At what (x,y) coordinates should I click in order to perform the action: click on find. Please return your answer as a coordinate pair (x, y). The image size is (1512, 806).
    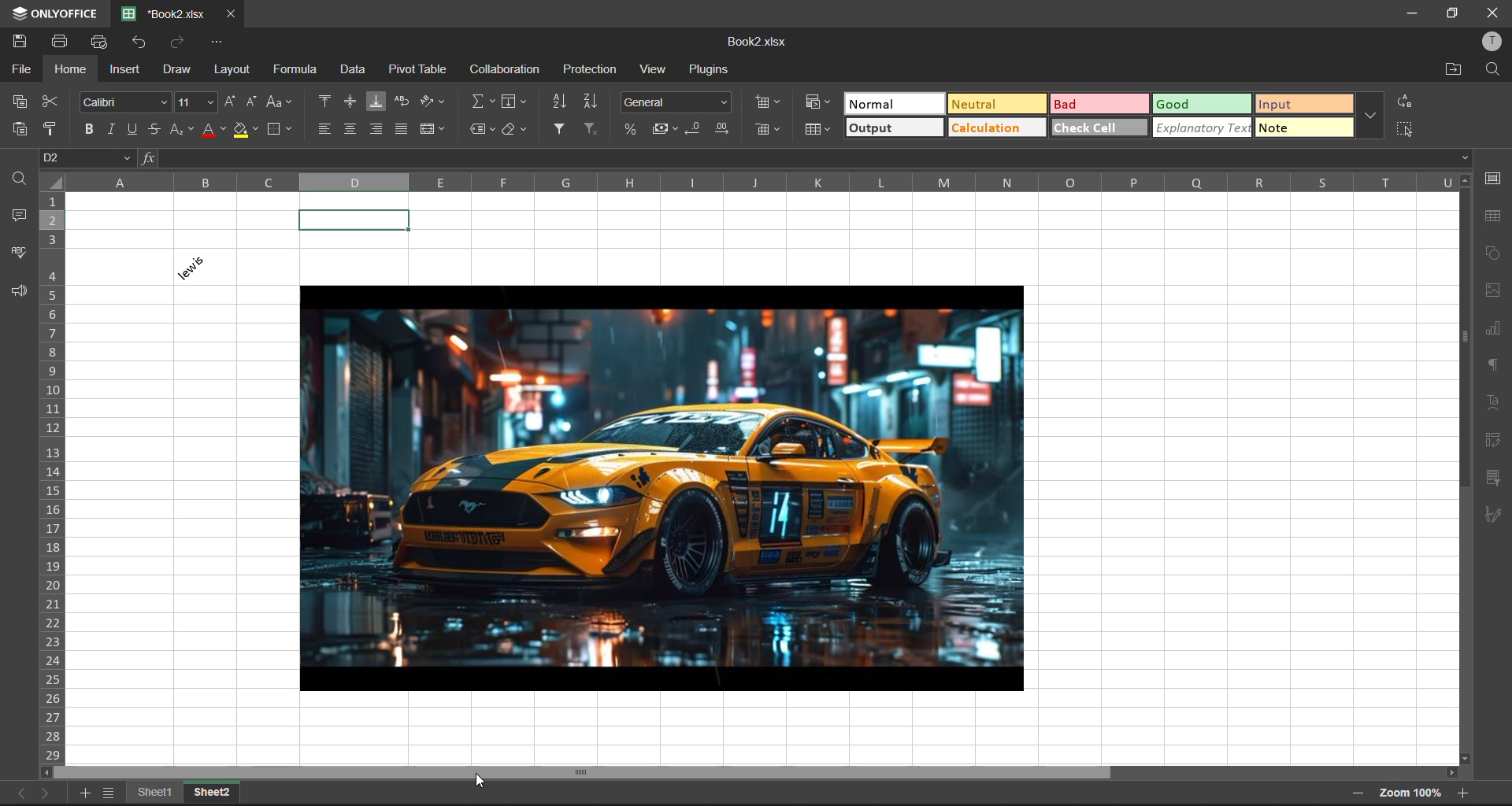
    Looking at the image, I should click on (17, 179).